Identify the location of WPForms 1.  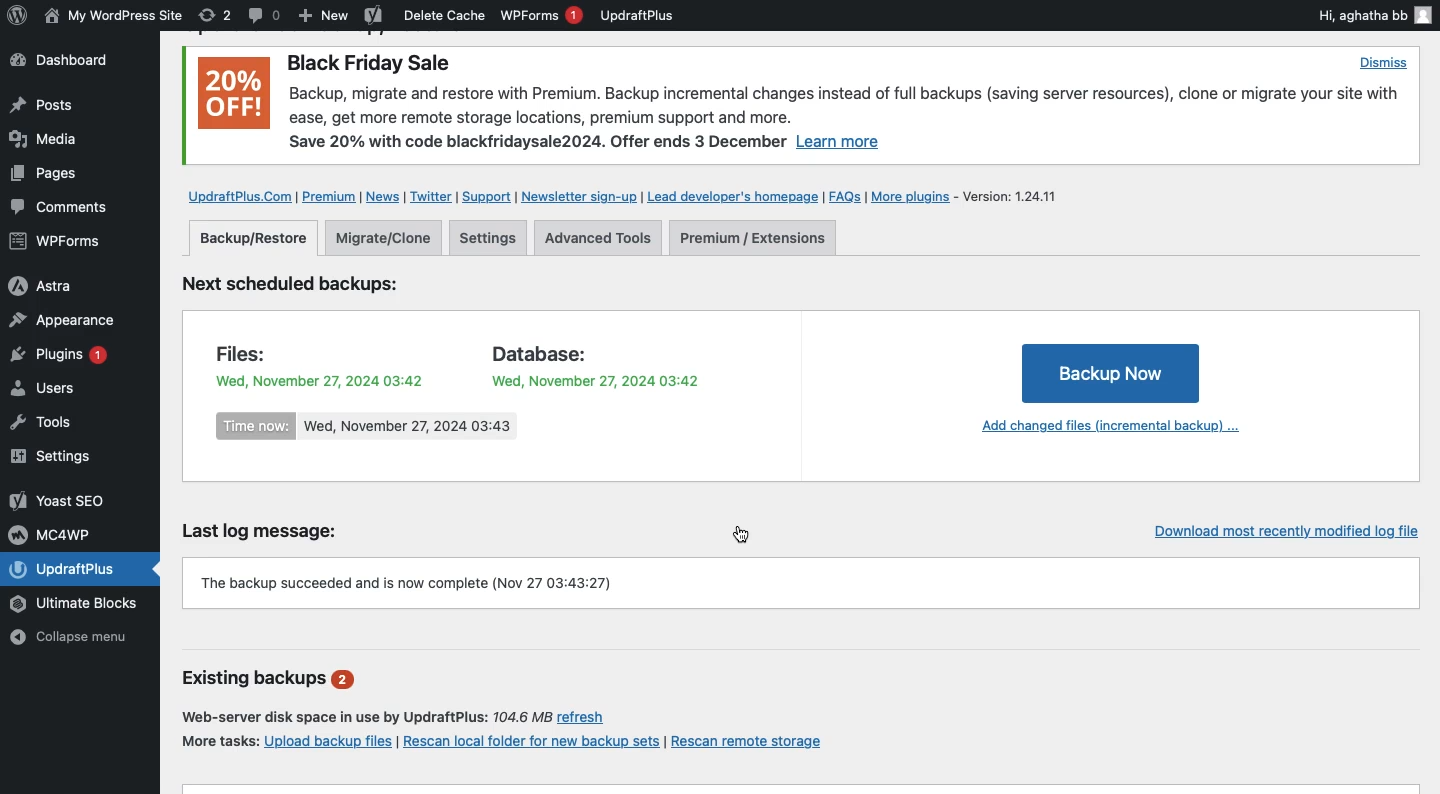
(541, 15).